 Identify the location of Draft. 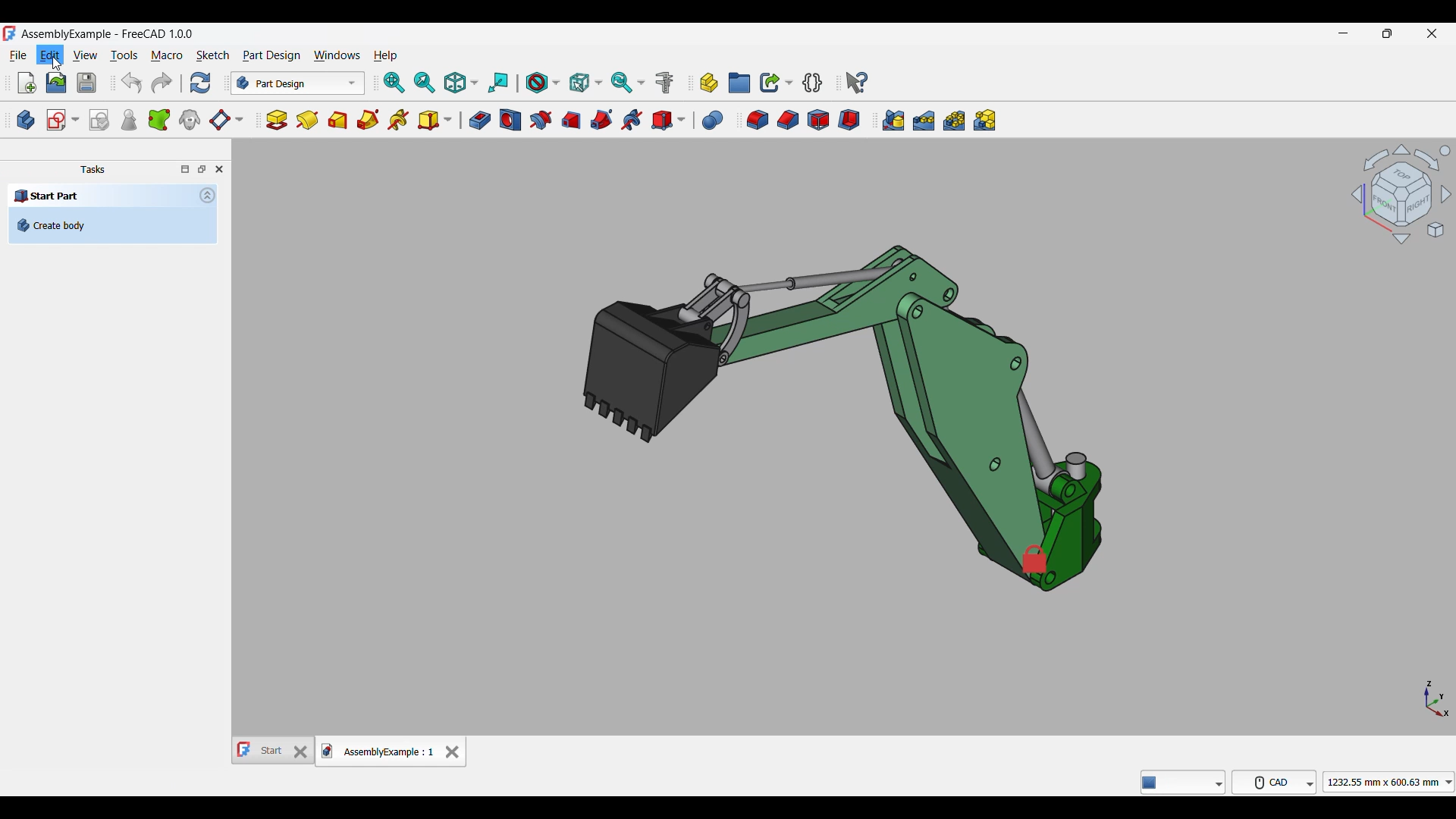
(819, 120).